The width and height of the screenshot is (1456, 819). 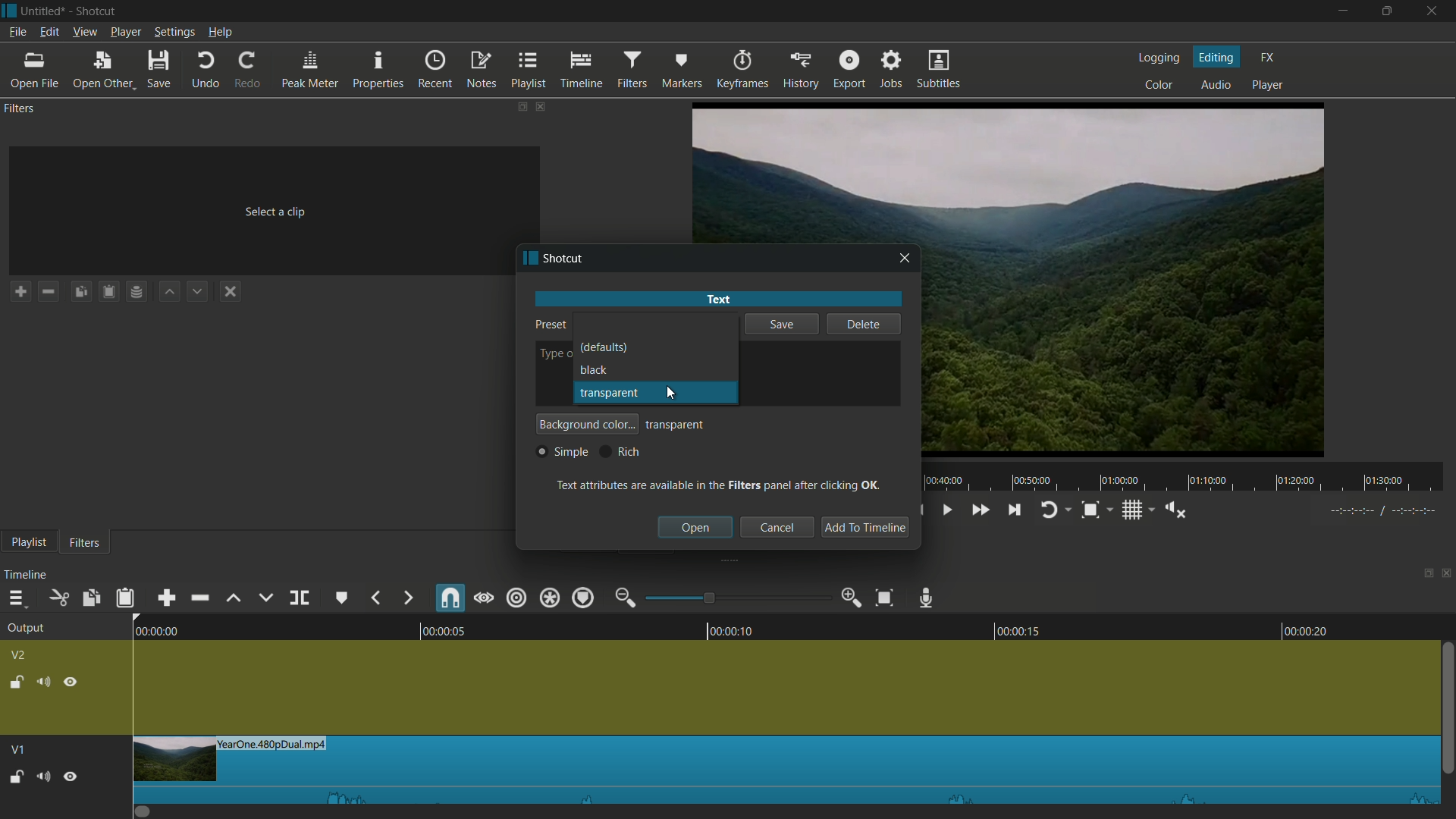 What do you see at coordinates (864, 324) in the screenshot?
I see `delete` at bounding box center [864, 324].